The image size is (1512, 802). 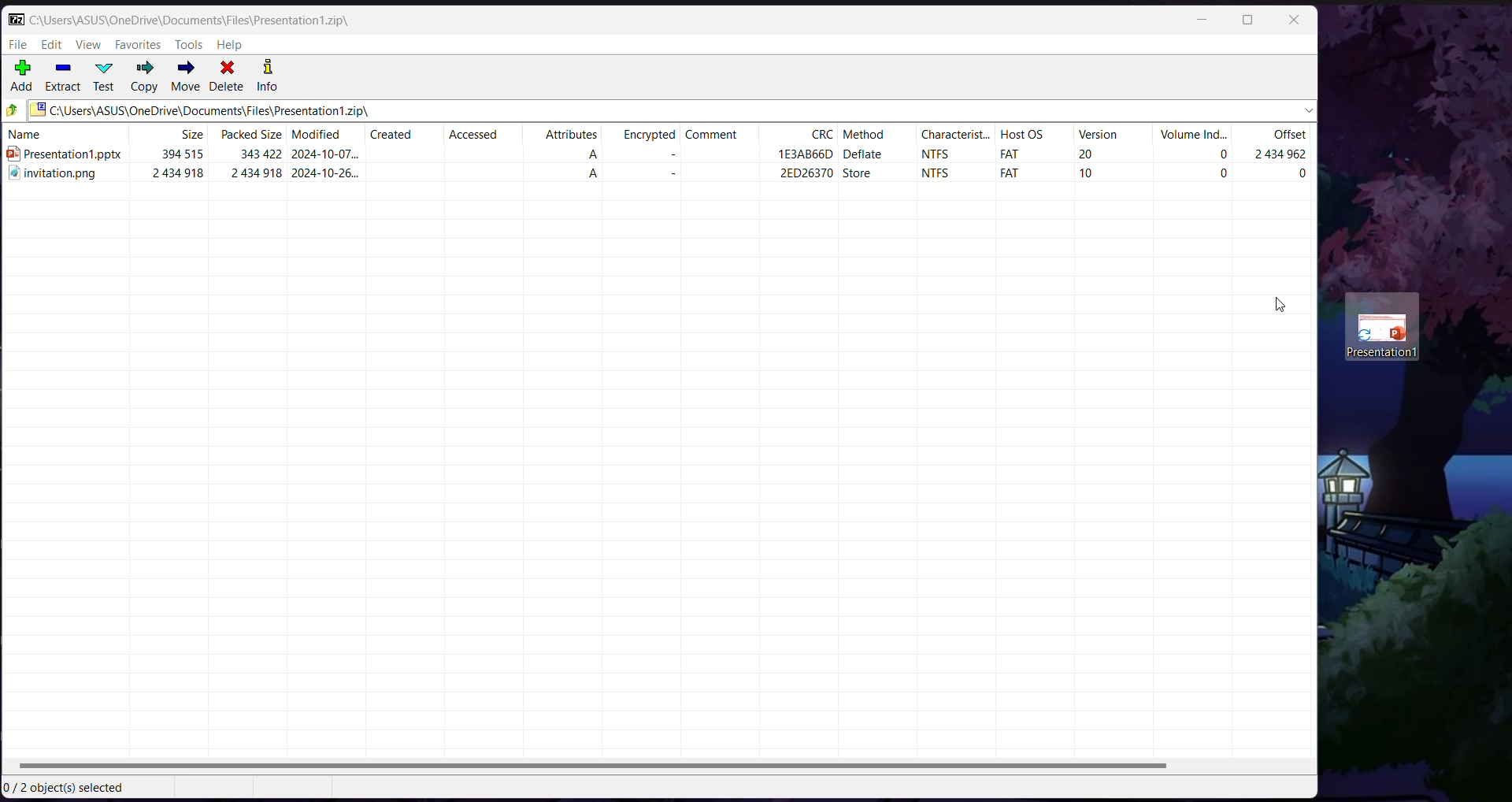 What do you see at coordinates (65, 789) in the screenshot?
I see `` at bounding box center [65, 789].